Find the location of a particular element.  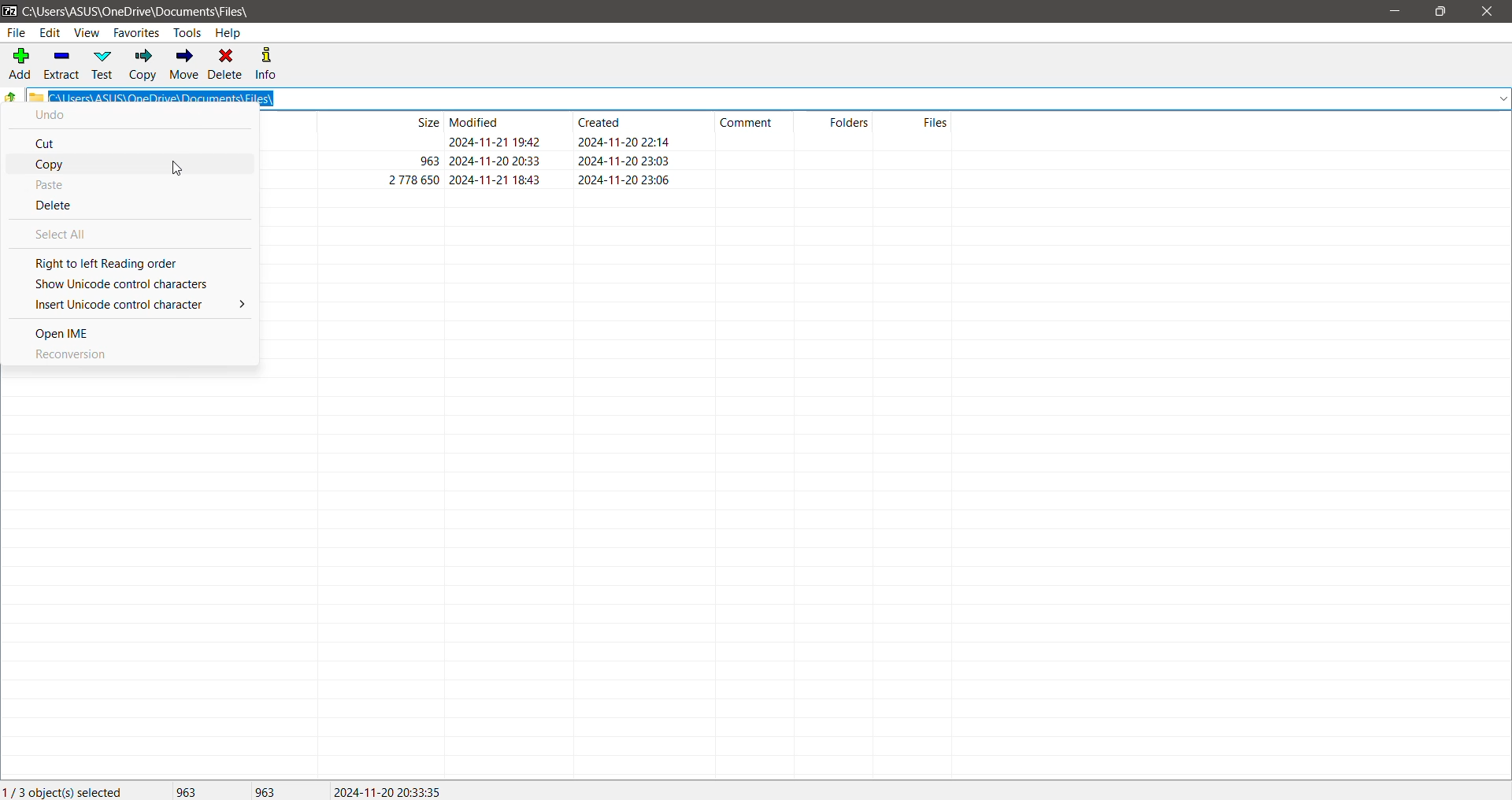

modified date & time is located at coordinates (495, 161).